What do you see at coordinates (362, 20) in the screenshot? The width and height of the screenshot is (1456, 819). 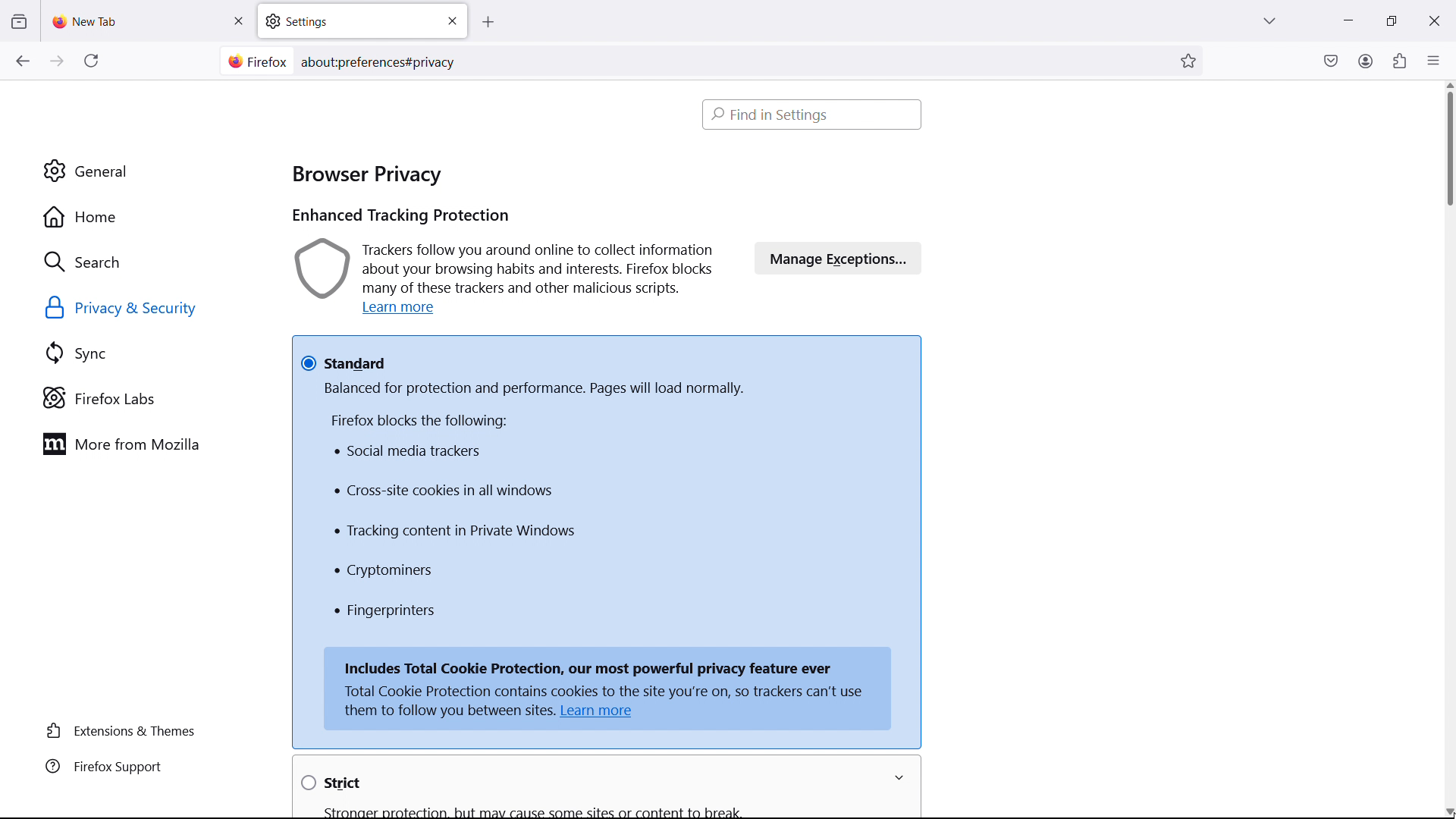 I see `settings tab` at bounding box center [362, 20].